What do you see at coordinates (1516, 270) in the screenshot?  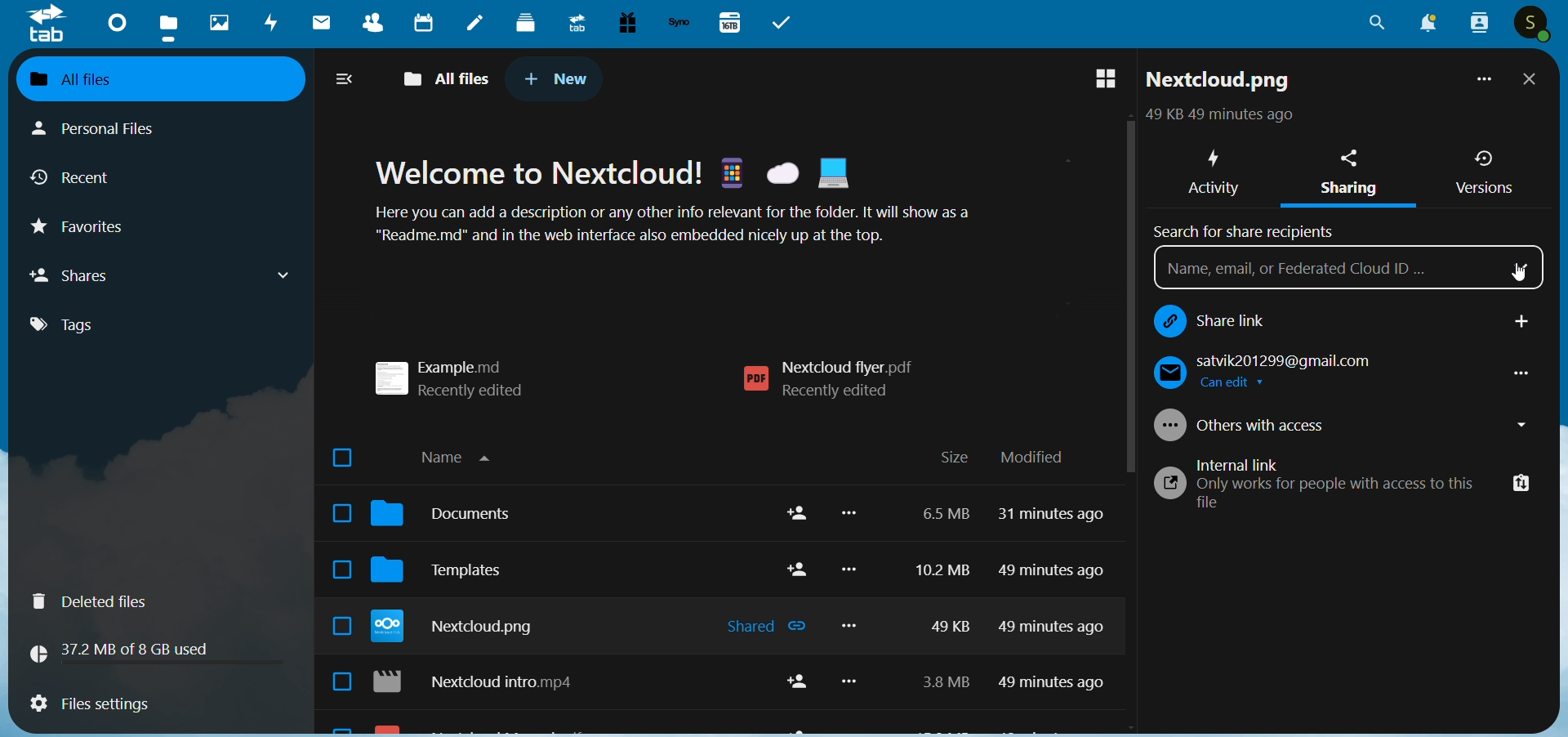 I see `cursor` at bounding box center [1516, 270].